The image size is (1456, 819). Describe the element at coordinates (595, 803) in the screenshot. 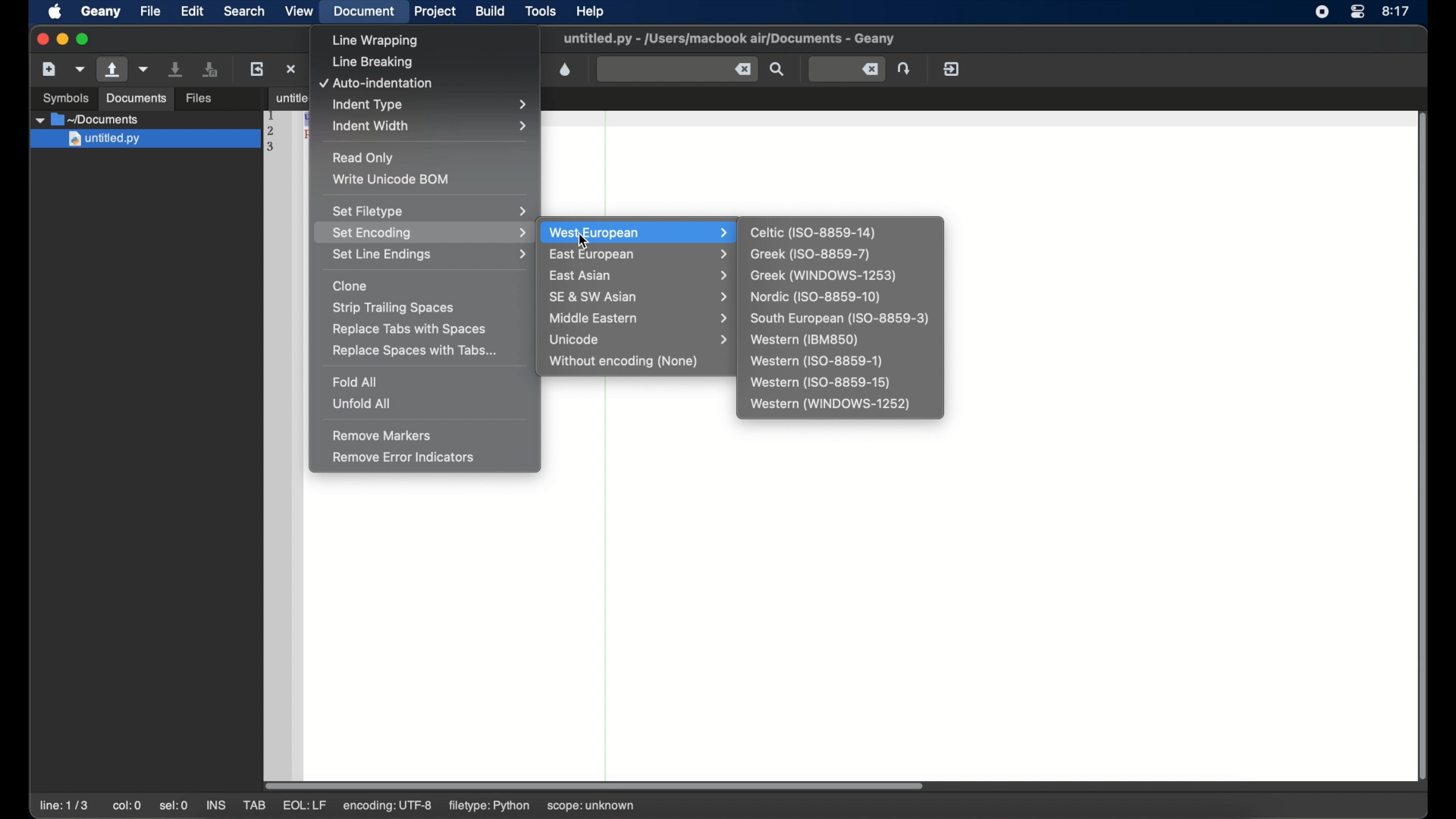

I see `scope: unknown` at that location.